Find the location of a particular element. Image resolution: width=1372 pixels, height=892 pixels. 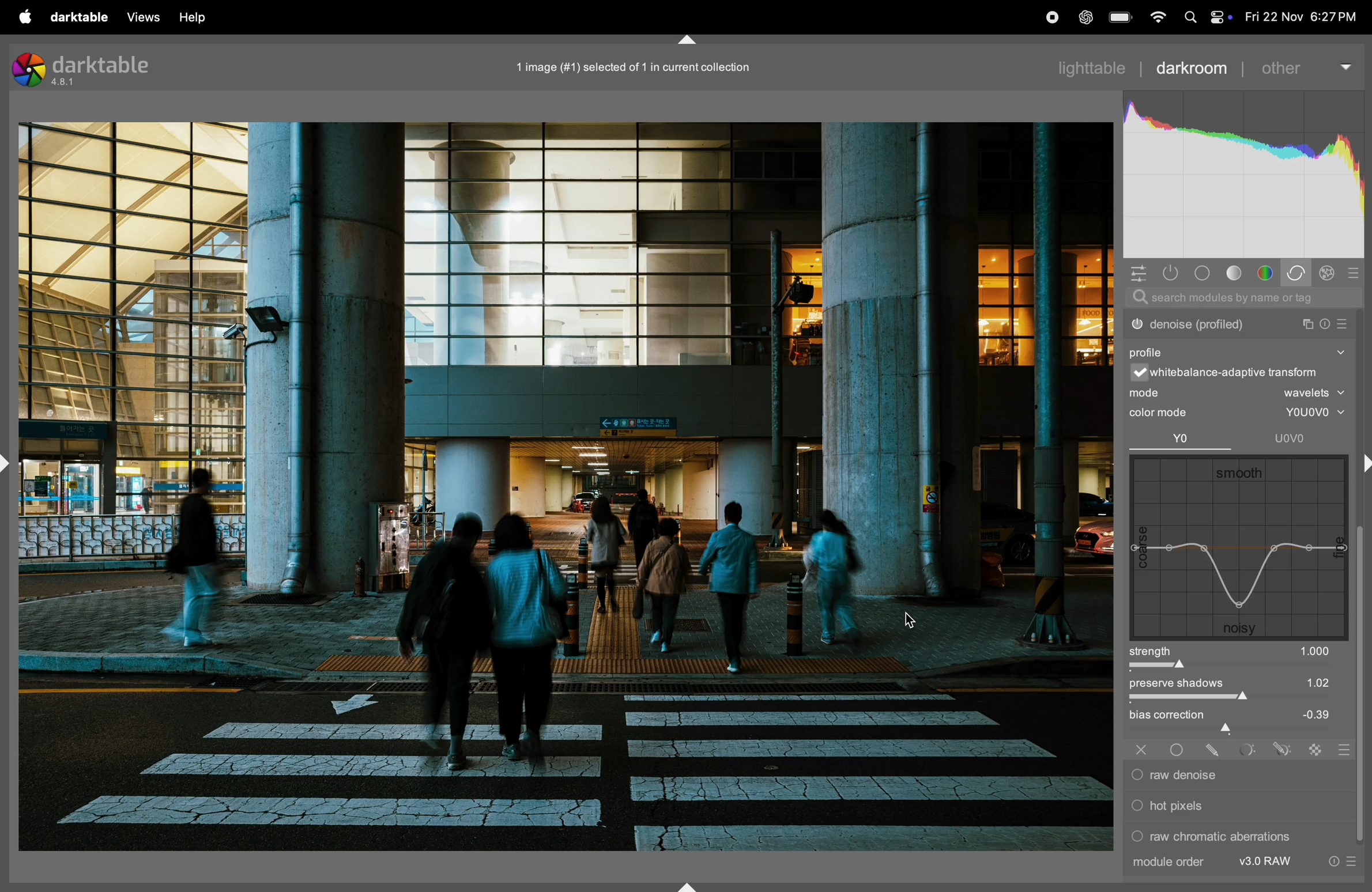

shift+ctrl+l is located at coordinates (9, 462).